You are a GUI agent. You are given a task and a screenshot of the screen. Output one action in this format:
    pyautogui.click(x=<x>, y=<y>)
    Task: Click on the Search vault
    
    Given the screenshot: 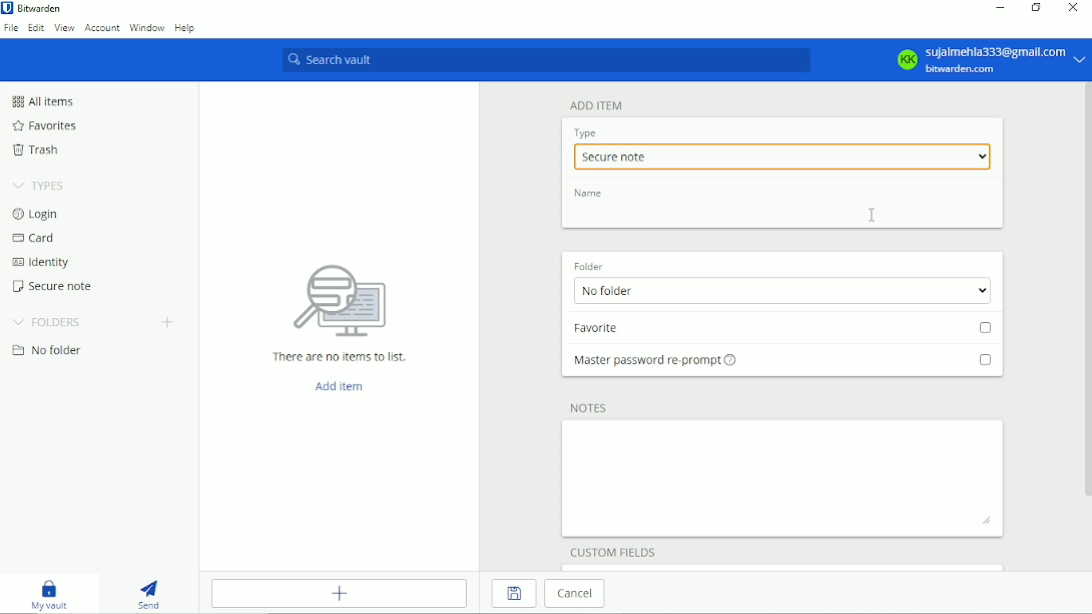 What is the action you would take?
    pyautogui.click(x=544, y=61)
    